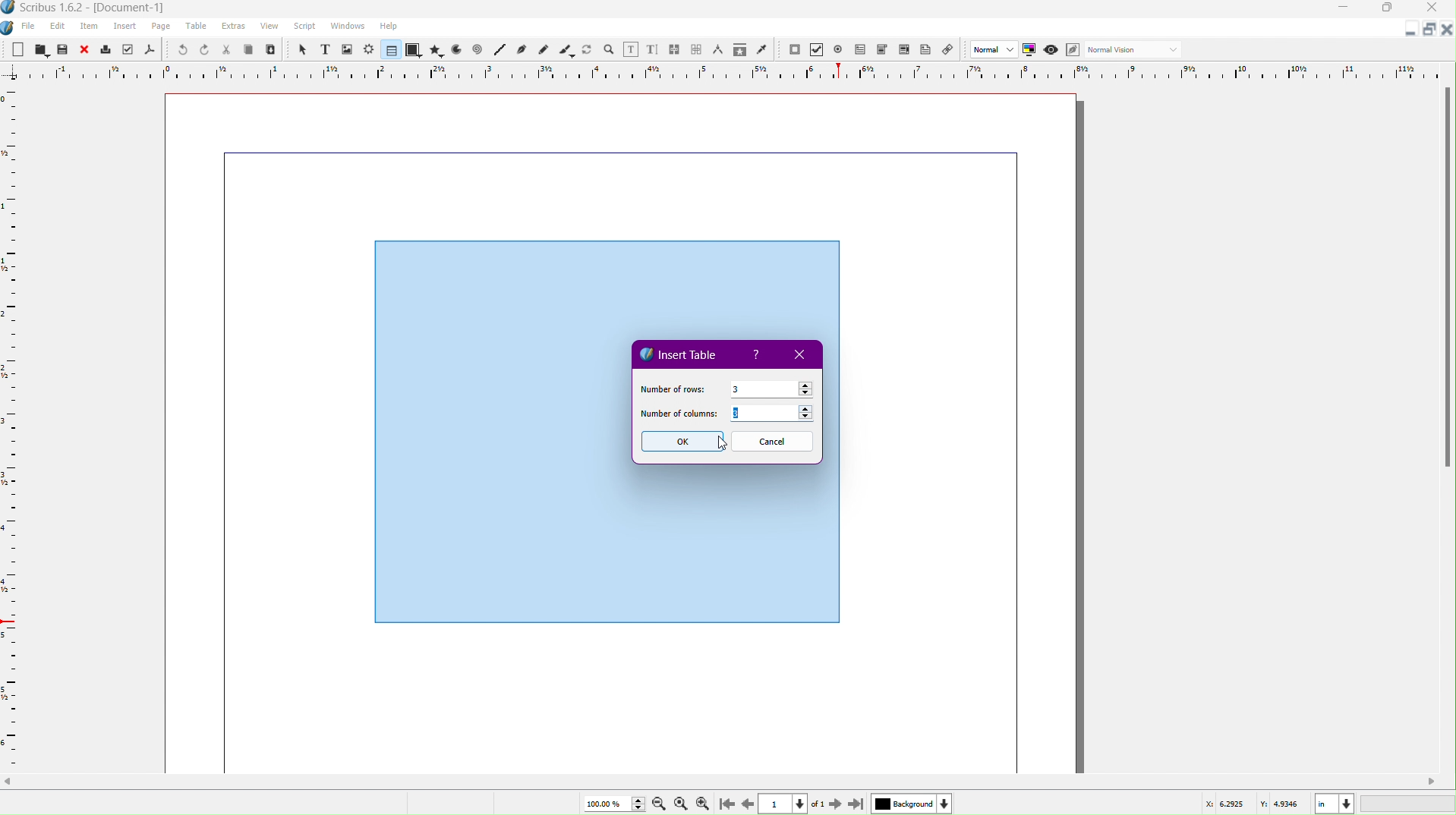 Image resolution: width=1456 pixels, height=815 pixels. What do you see at coordinates (728, 71) in the screenshot?
I see `Ruler Line` at bounding box center [728, 71].